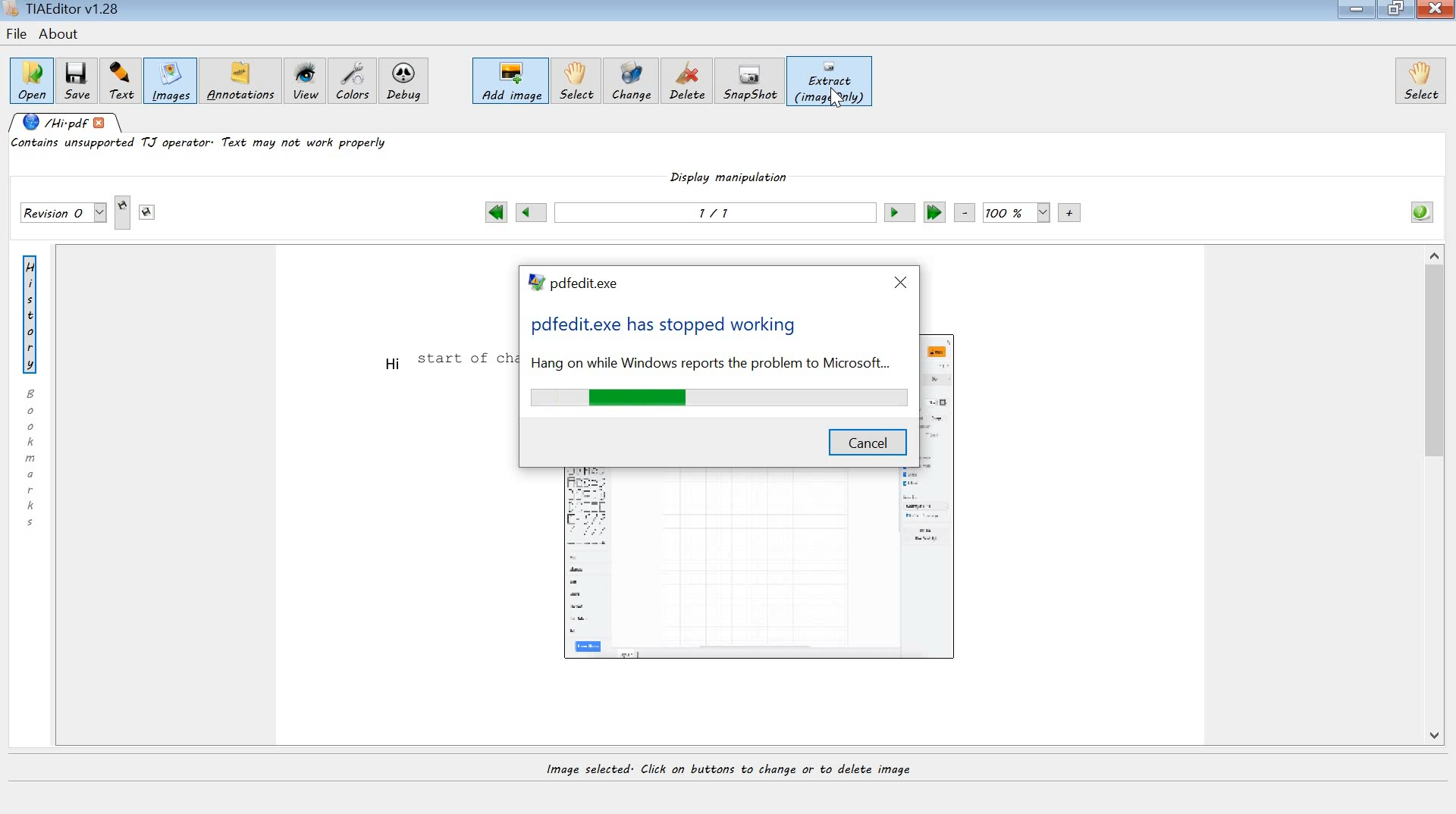  I want to click on colors, so click(353, 80).